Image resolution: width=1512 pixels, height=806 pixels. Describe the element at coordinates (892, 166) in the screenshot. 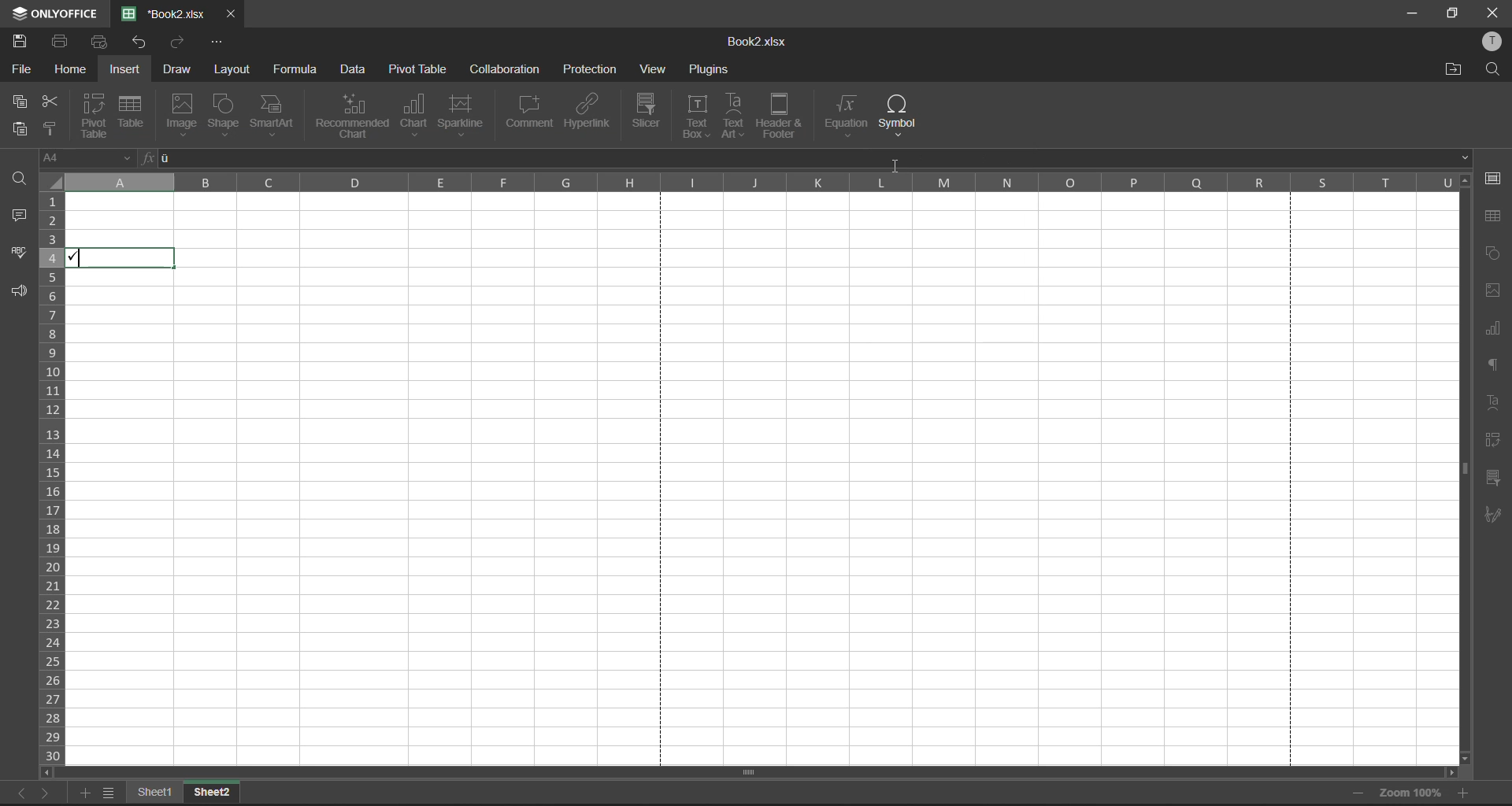

I see `cursor` at that location.